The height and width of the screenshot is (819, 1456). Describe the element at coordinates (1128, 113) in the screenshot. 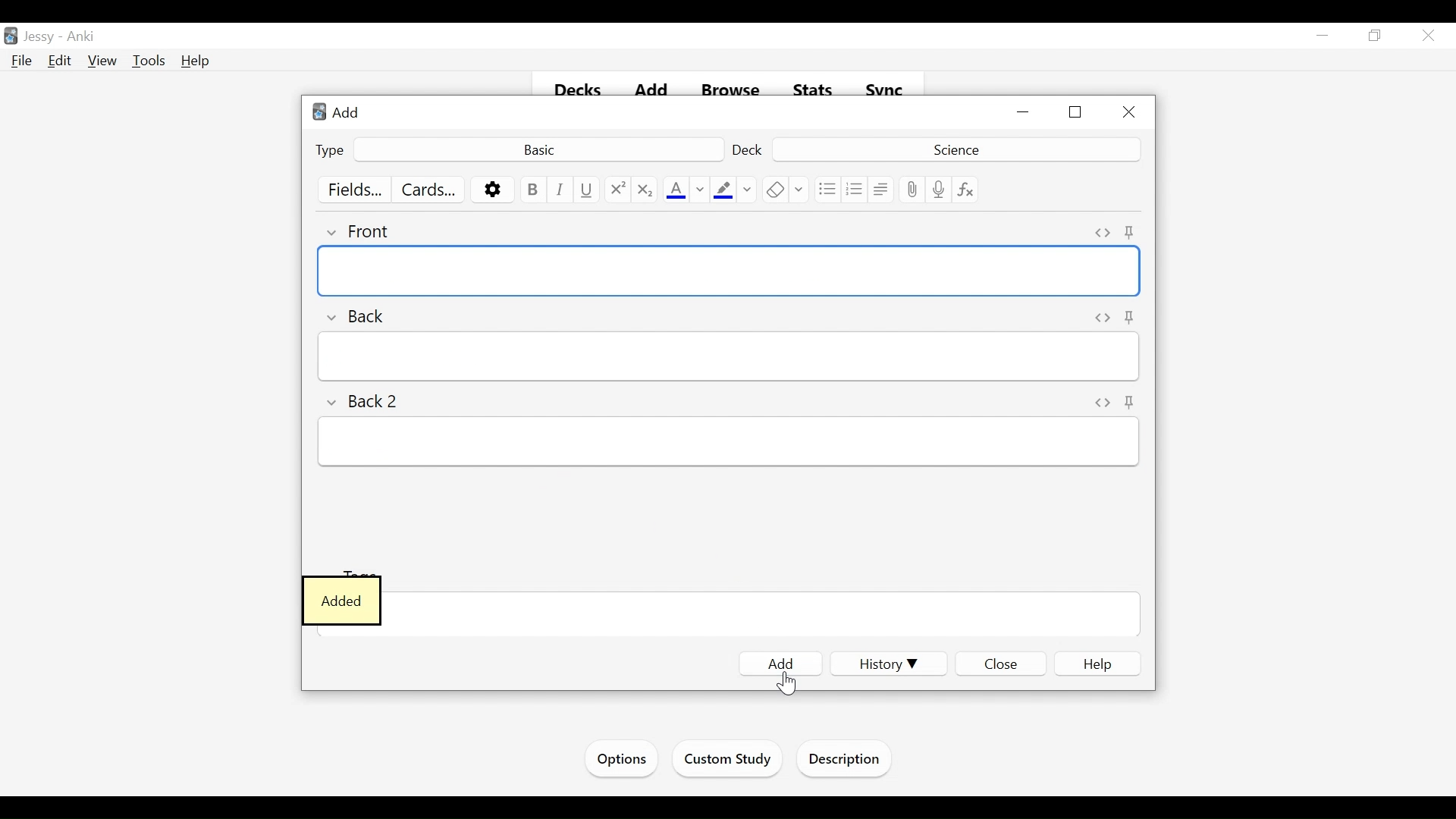

I see `Close` at that location.